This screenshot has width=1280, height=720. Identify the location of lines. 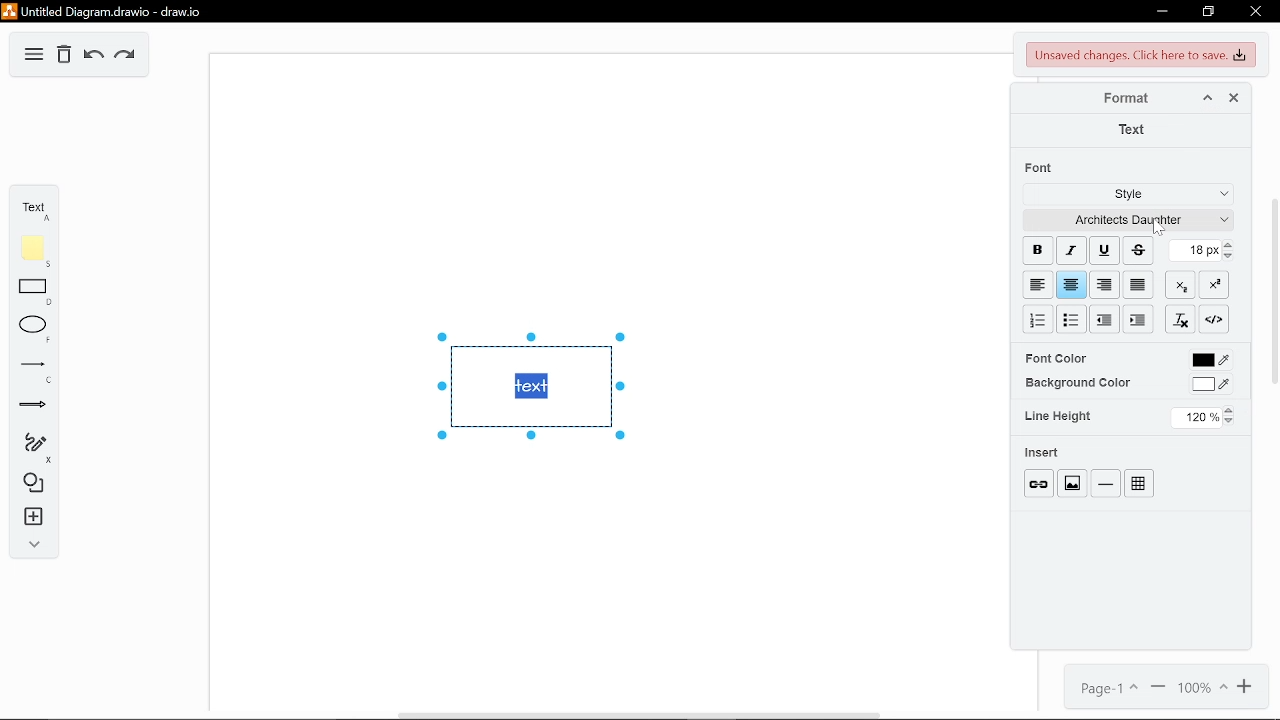
(29, 371).